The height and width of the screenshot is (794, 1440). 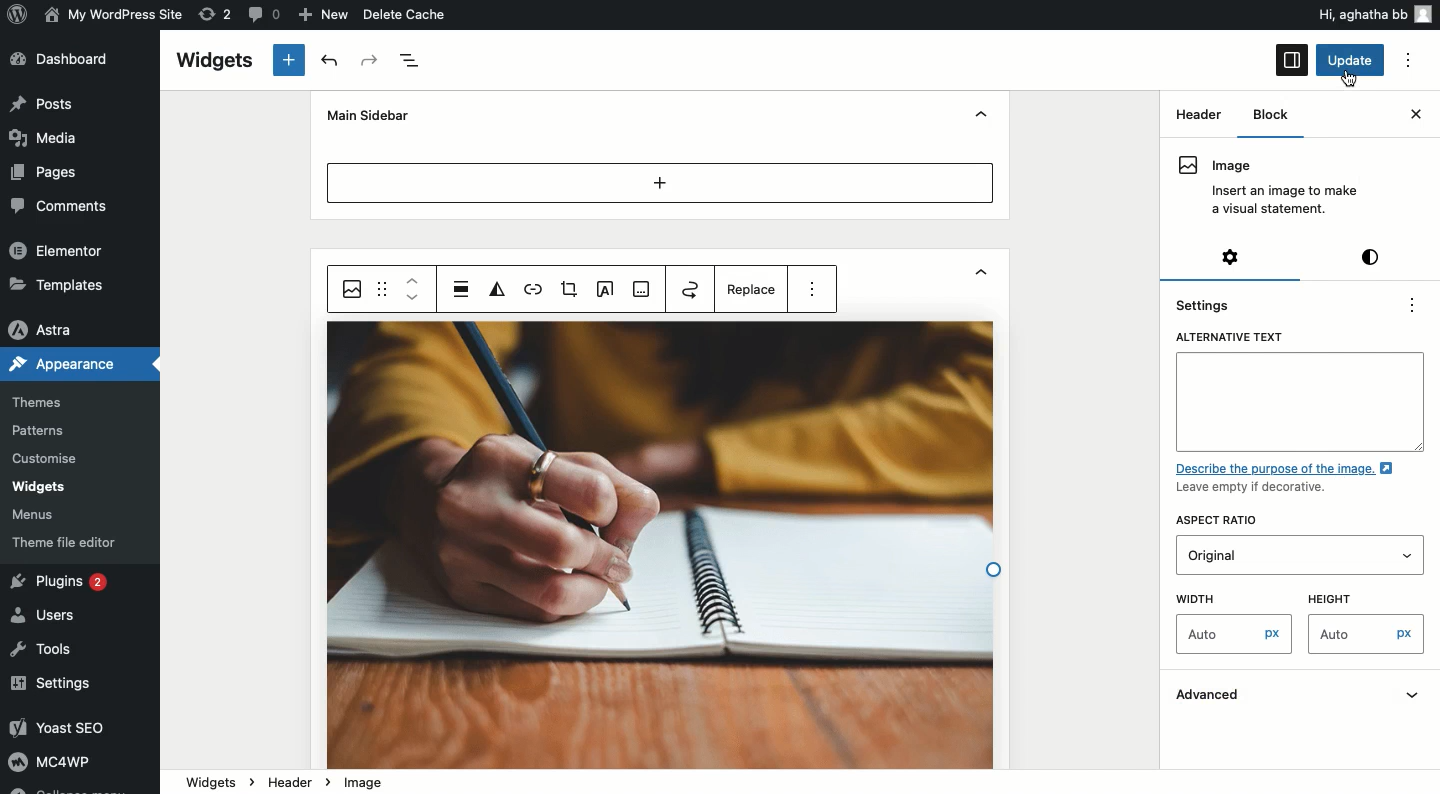 What do you see at coordinates (1373, 256) in the screenshot?
I see `Style` at bounding box center [1373, 256].